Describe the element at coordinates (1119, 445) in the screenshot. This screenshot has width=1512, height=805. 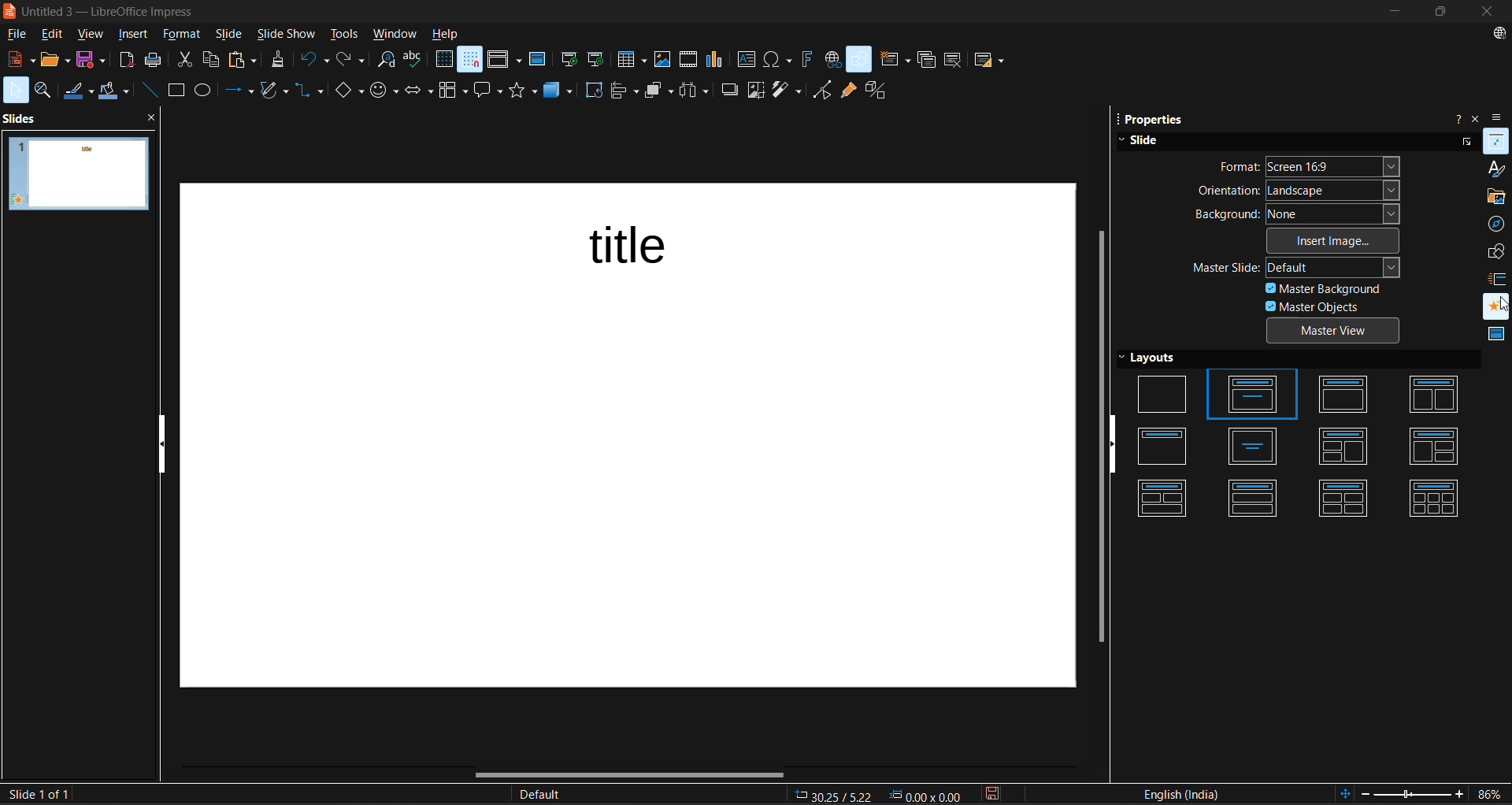
I see `hide` at that location.